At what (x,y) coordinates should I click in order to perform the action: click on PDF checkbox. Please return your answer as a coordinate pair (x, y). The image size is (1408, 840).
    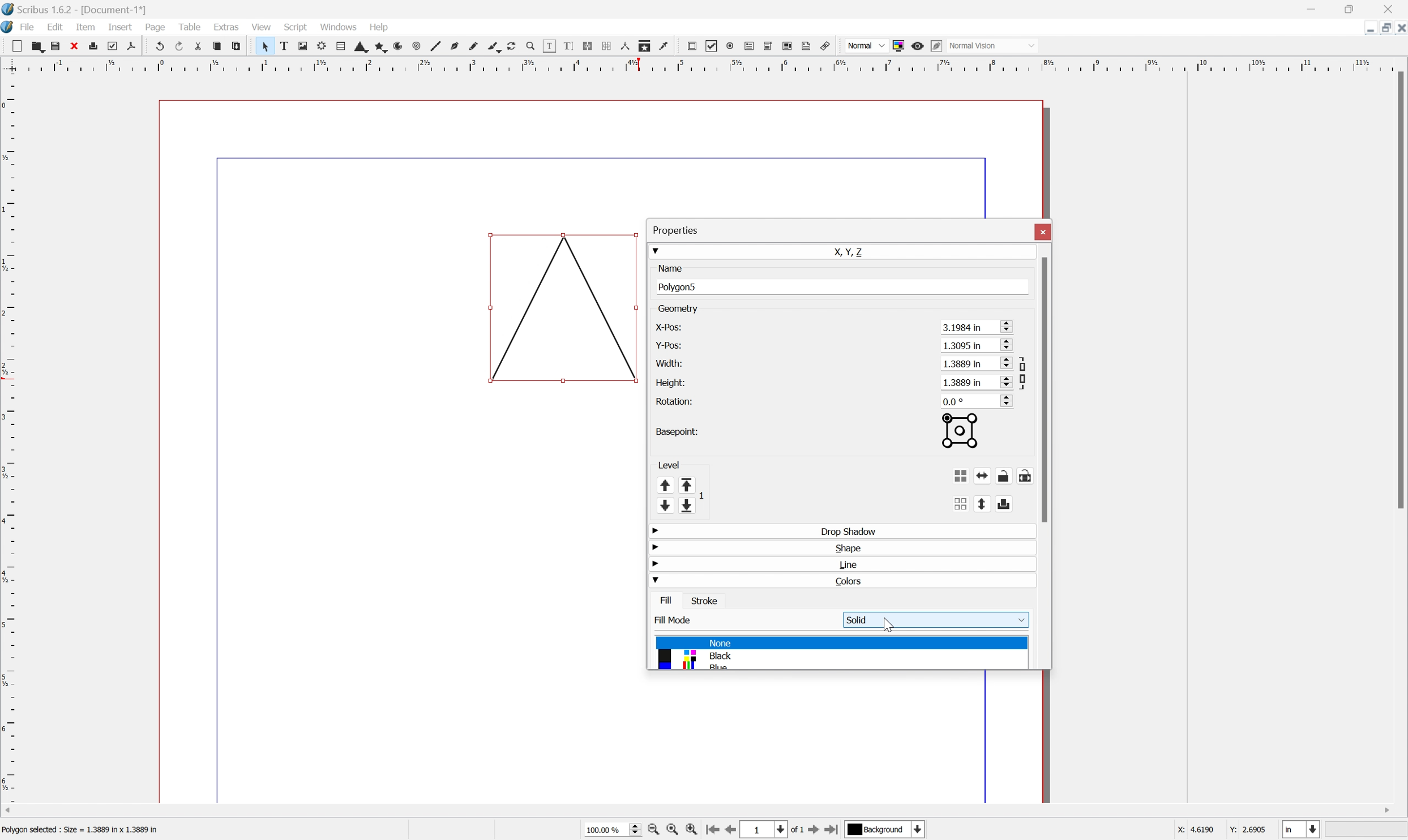
    Looking at the image, I should click on (712, 44).